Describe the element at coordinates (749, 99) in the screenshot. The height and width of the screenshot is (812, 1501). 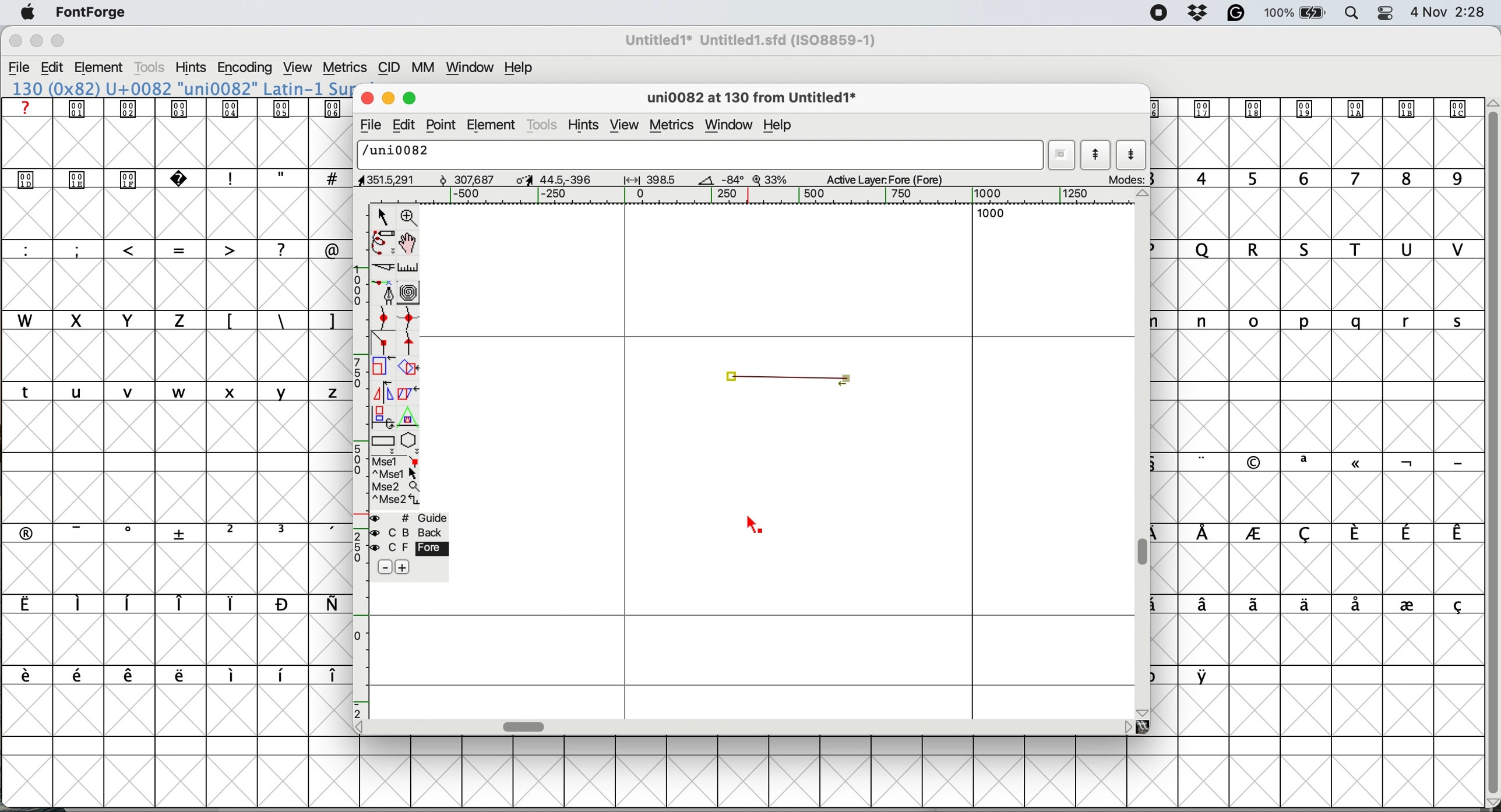
I see `glyph name` at that location.